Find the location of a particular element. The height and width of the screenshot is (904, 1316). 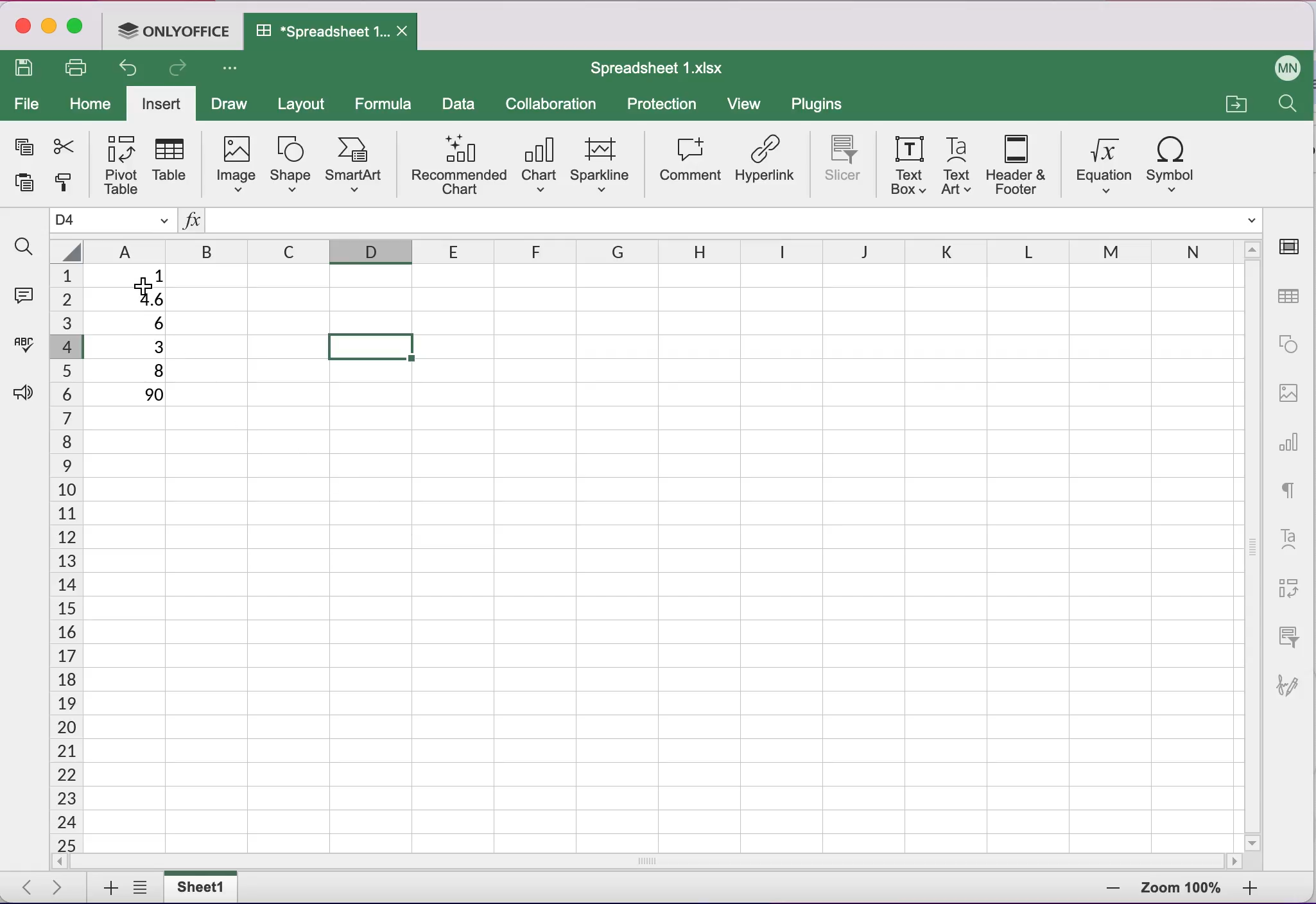

cell settings is located at coordinates (1292, 248).